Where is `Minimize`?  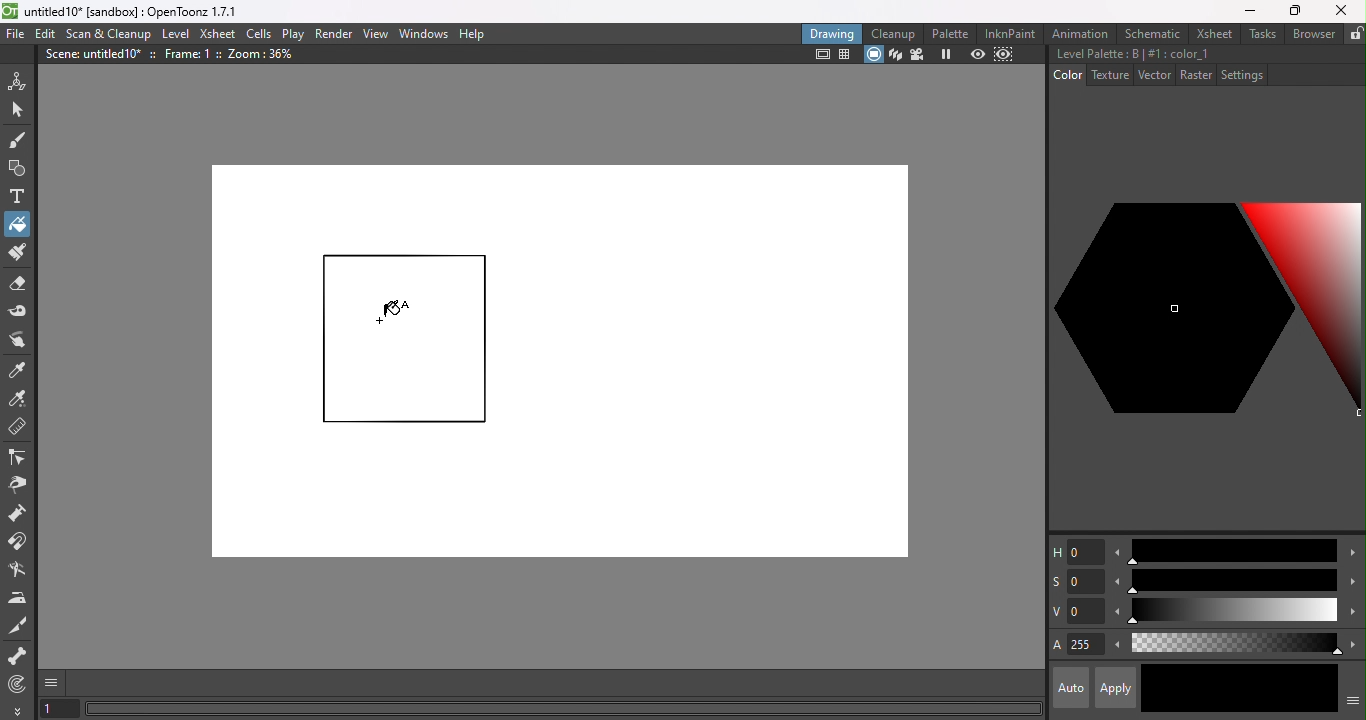
Minimize is located at coordinates (1250, 10).